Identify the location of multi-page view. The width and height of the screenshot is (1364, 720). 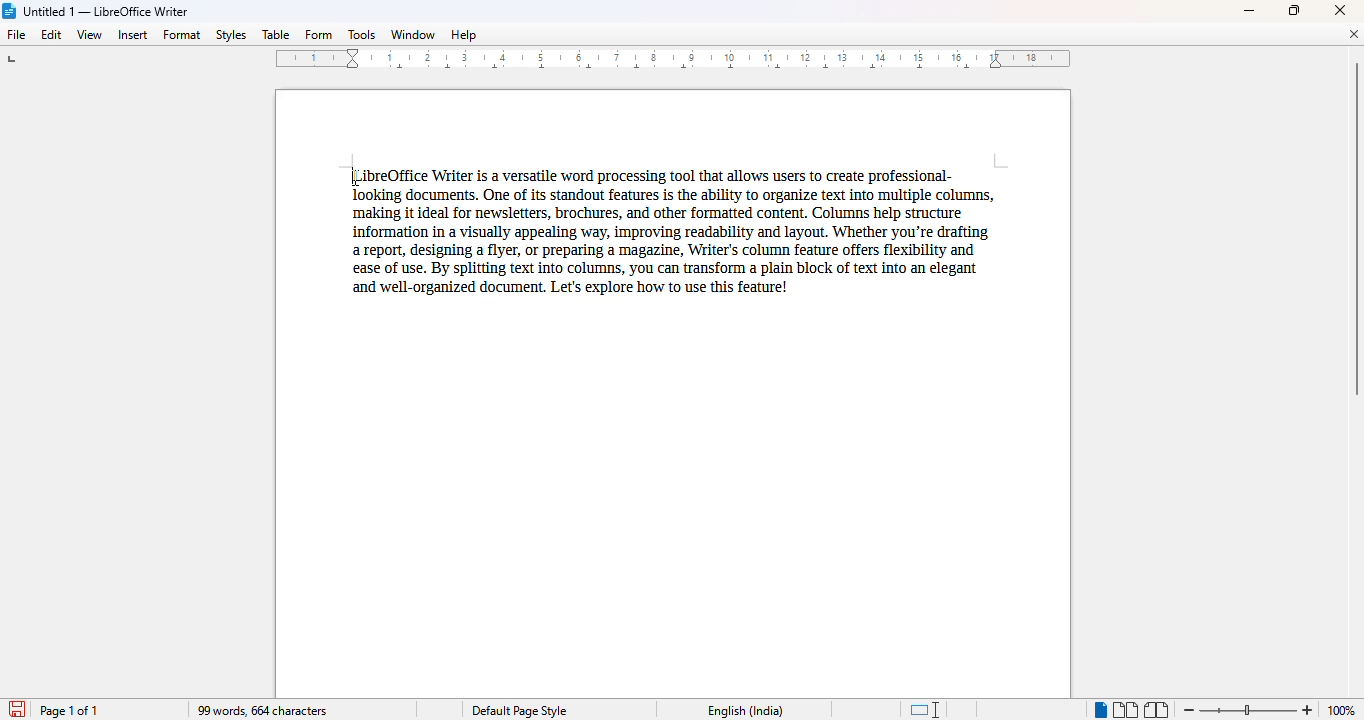
(1126, 710).